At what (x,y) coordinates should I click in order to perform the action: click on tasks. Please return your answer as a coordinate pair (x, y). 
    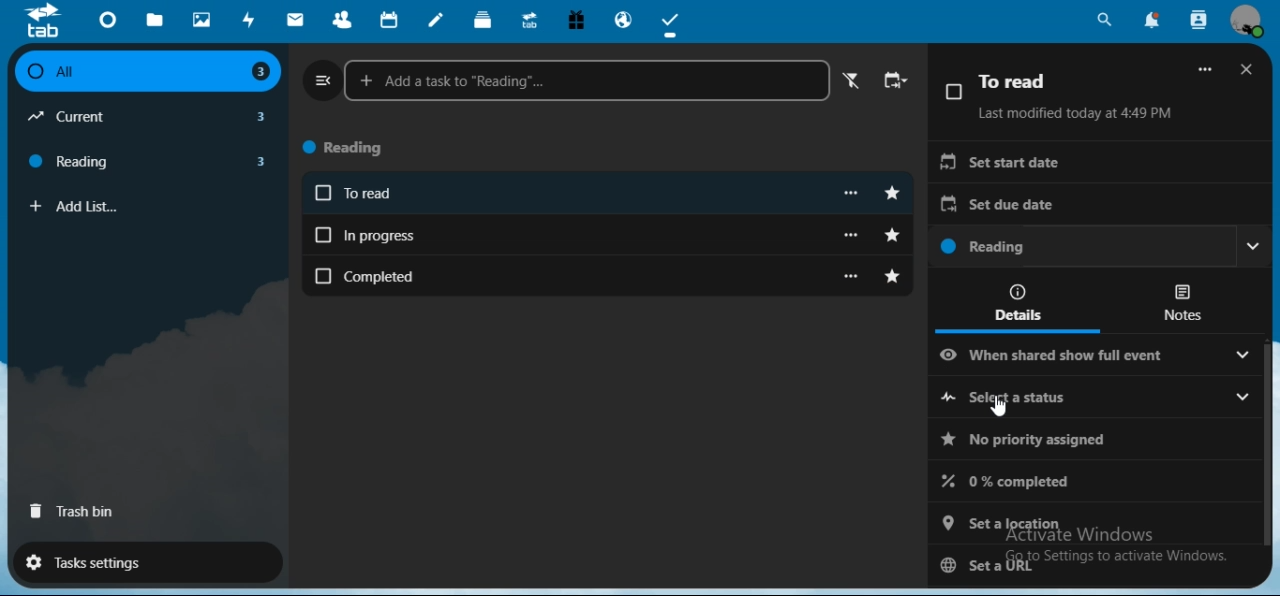
    Looking at the image, I should click on (674, 22).